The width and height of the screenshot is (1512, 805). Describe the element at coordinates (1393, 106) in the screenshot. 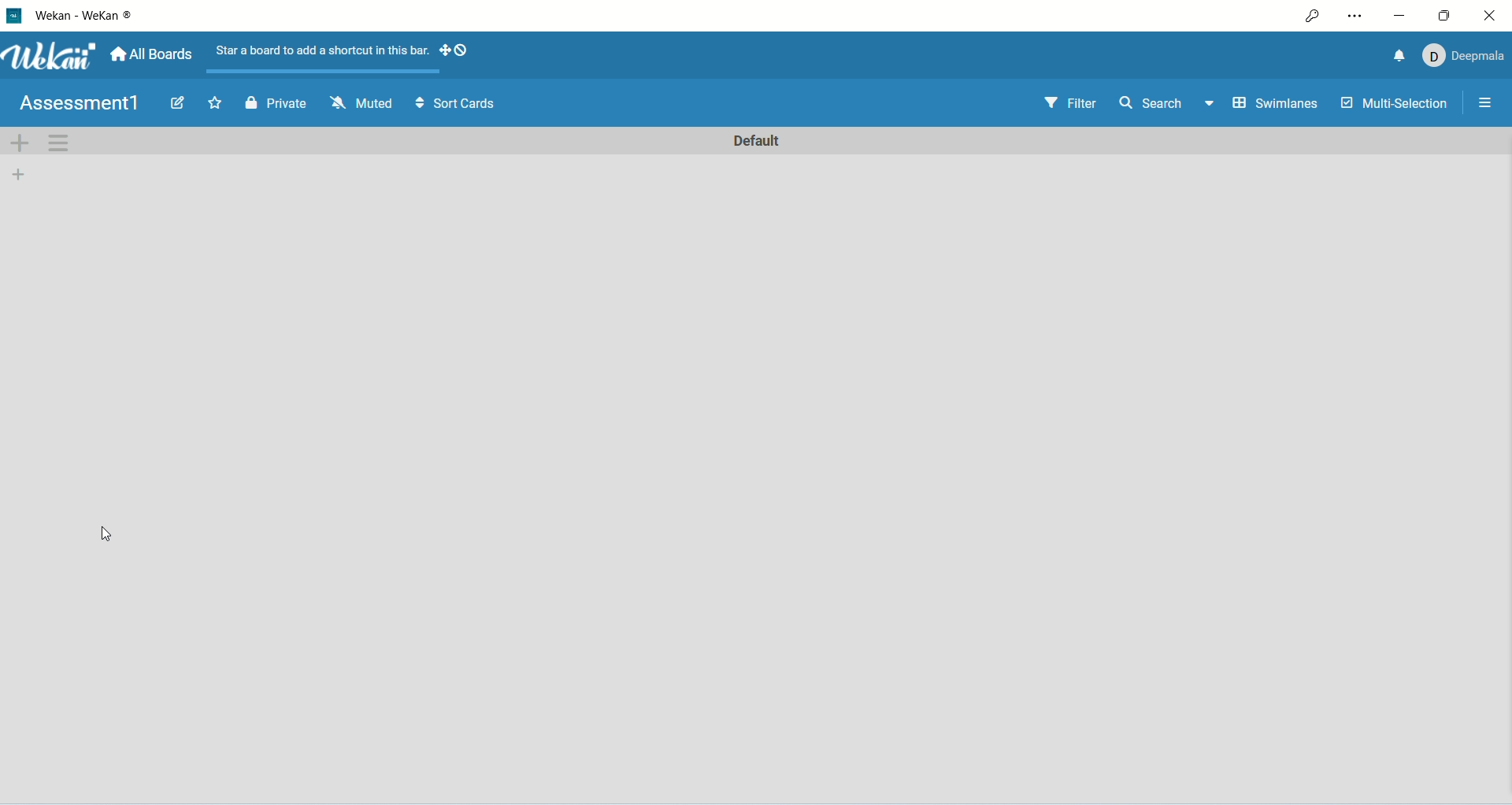

I see `multi selection` at that location.